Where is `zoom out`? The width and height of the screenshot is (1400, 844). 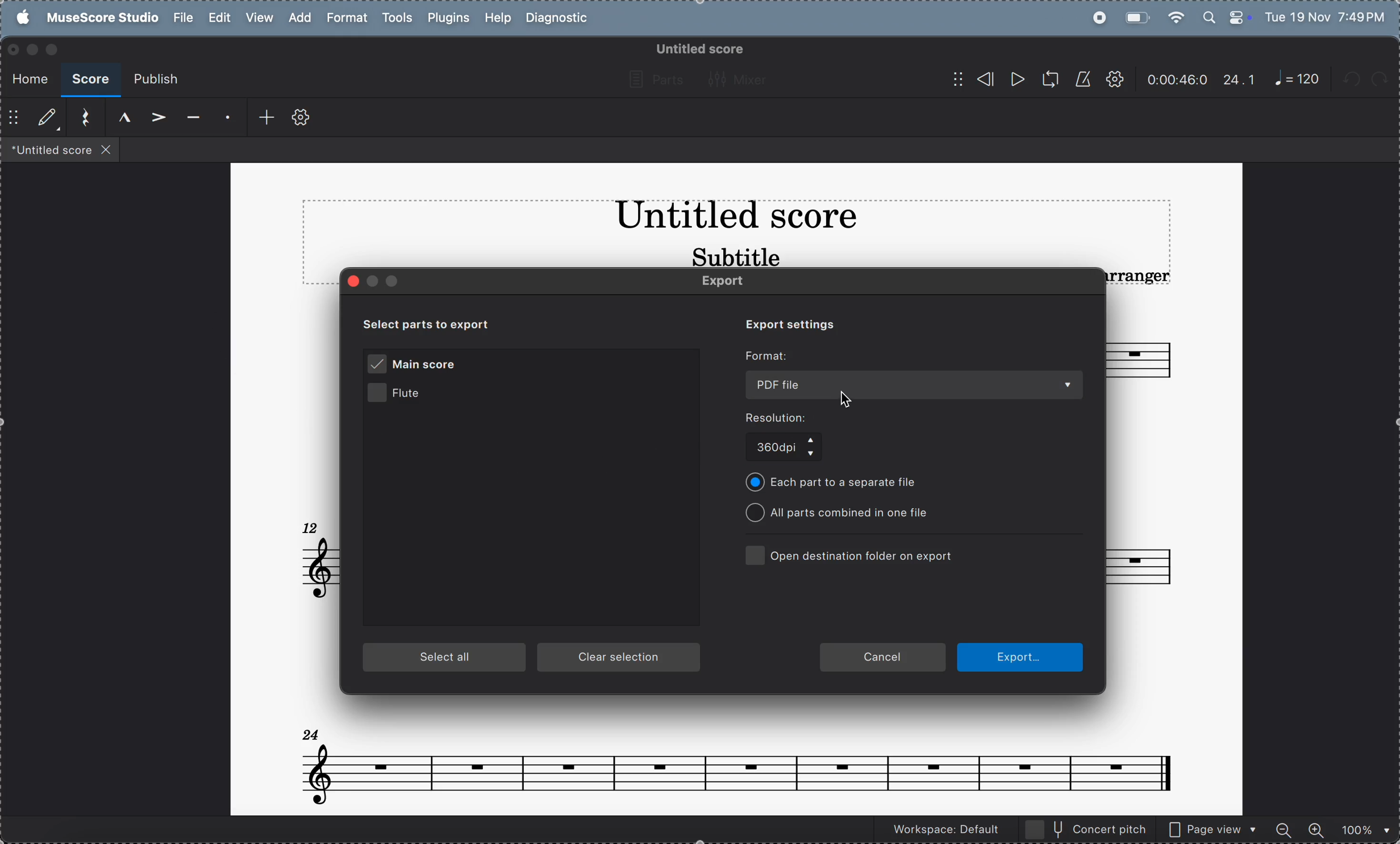 zoom out is located at coordinates (1285, 828).